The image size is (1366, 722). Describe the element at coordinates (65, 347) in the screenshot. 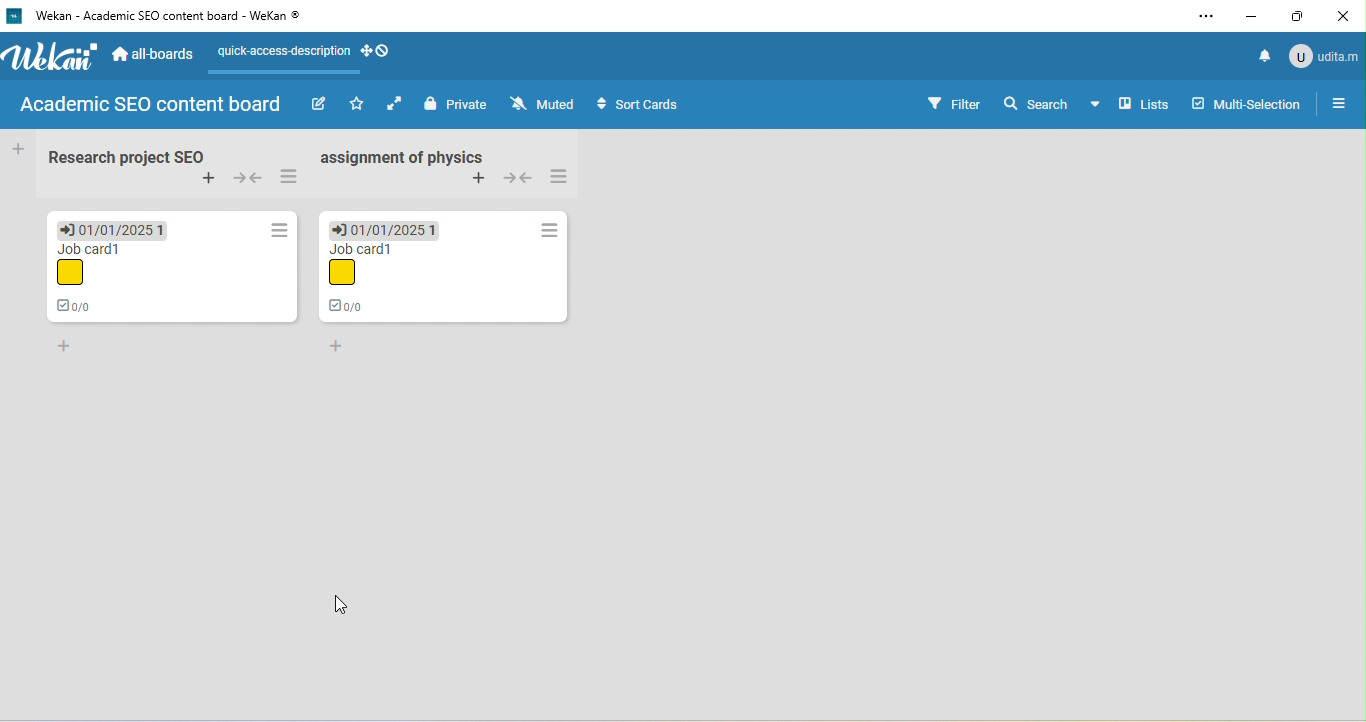

I see `add` at that location.